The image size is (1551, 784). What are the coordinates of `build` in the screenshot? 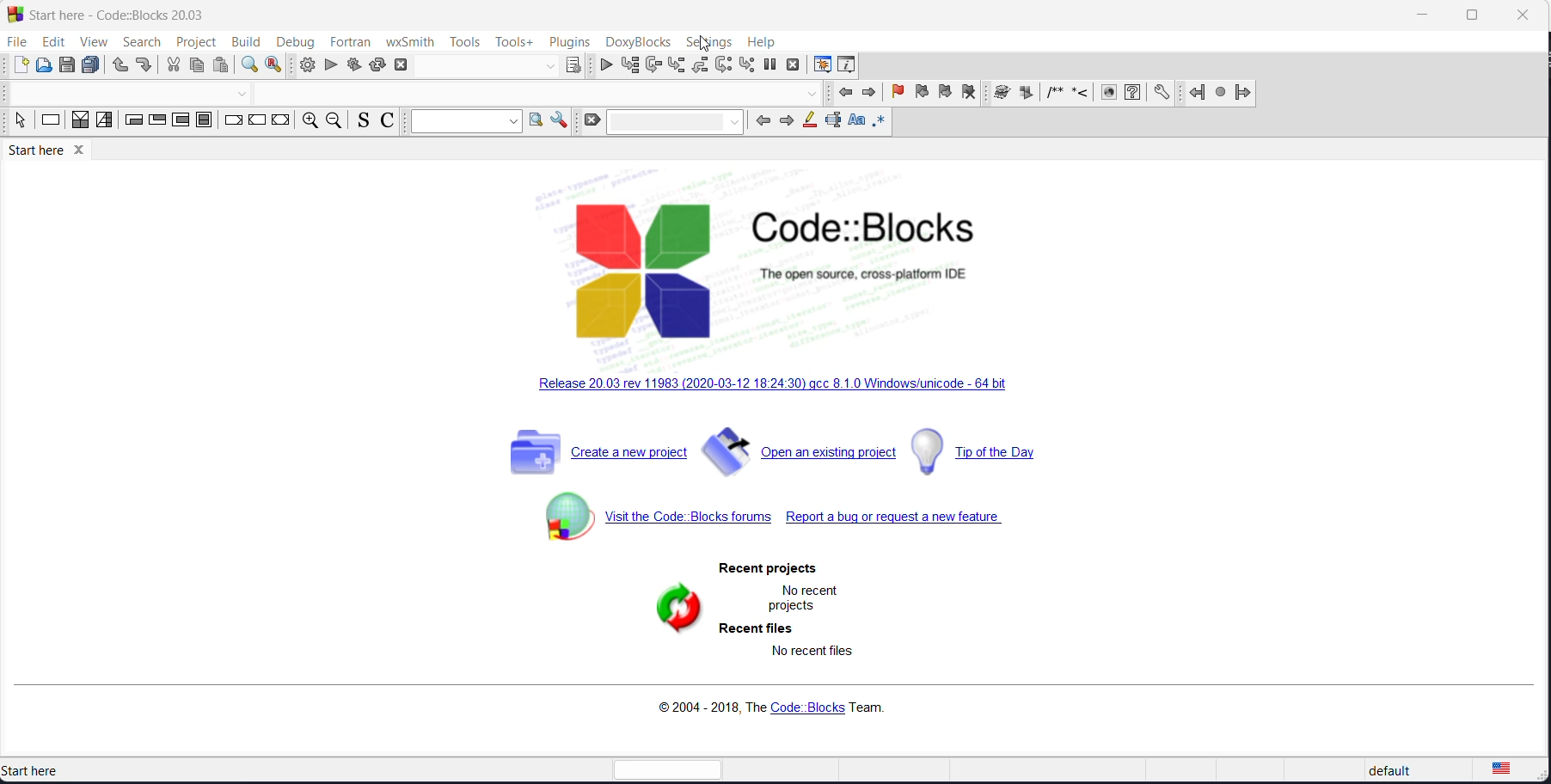 It's located at (244, 41).